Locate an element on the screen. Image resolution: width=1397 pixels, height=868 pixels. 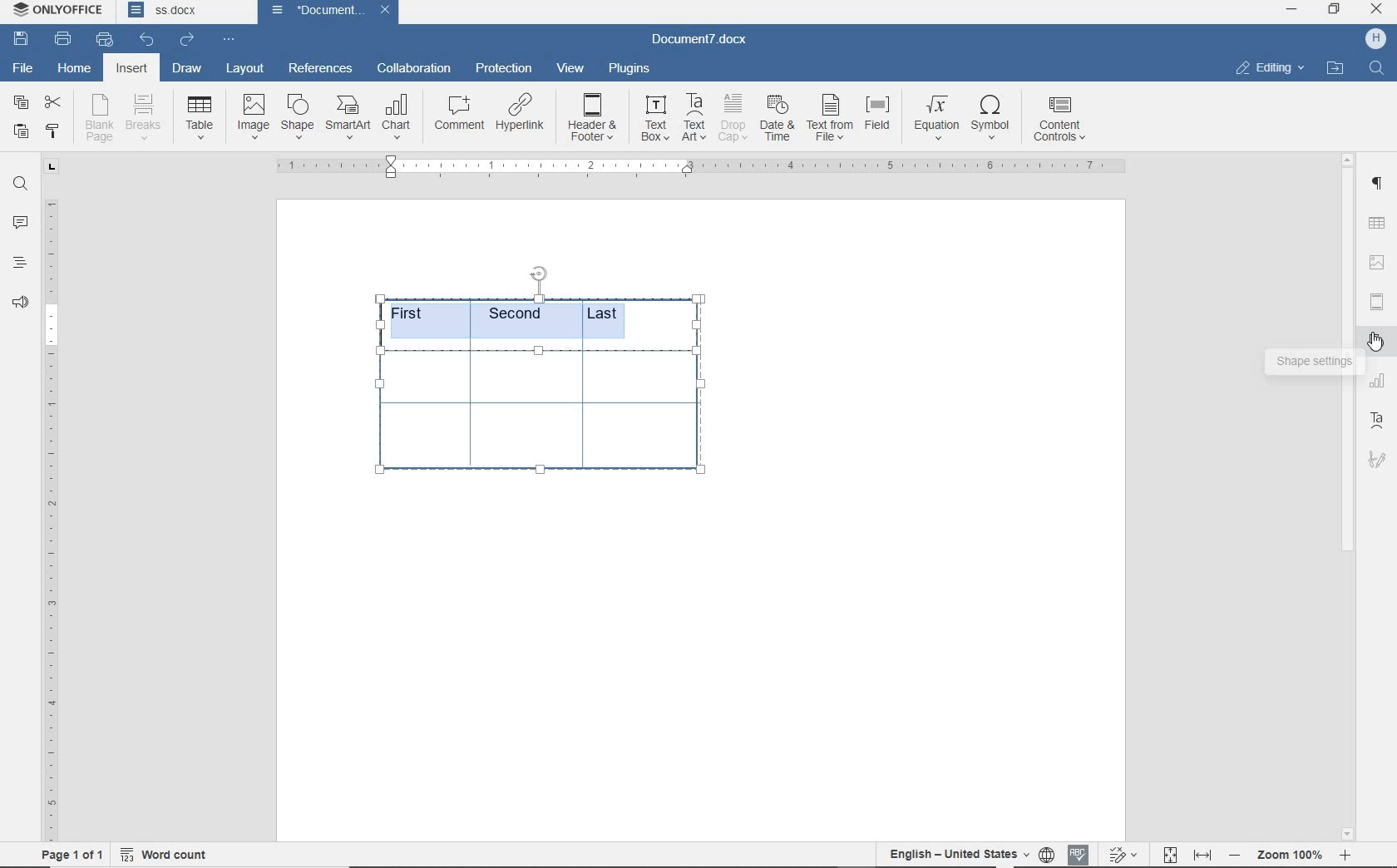
document is located at coordinates (313, 10).